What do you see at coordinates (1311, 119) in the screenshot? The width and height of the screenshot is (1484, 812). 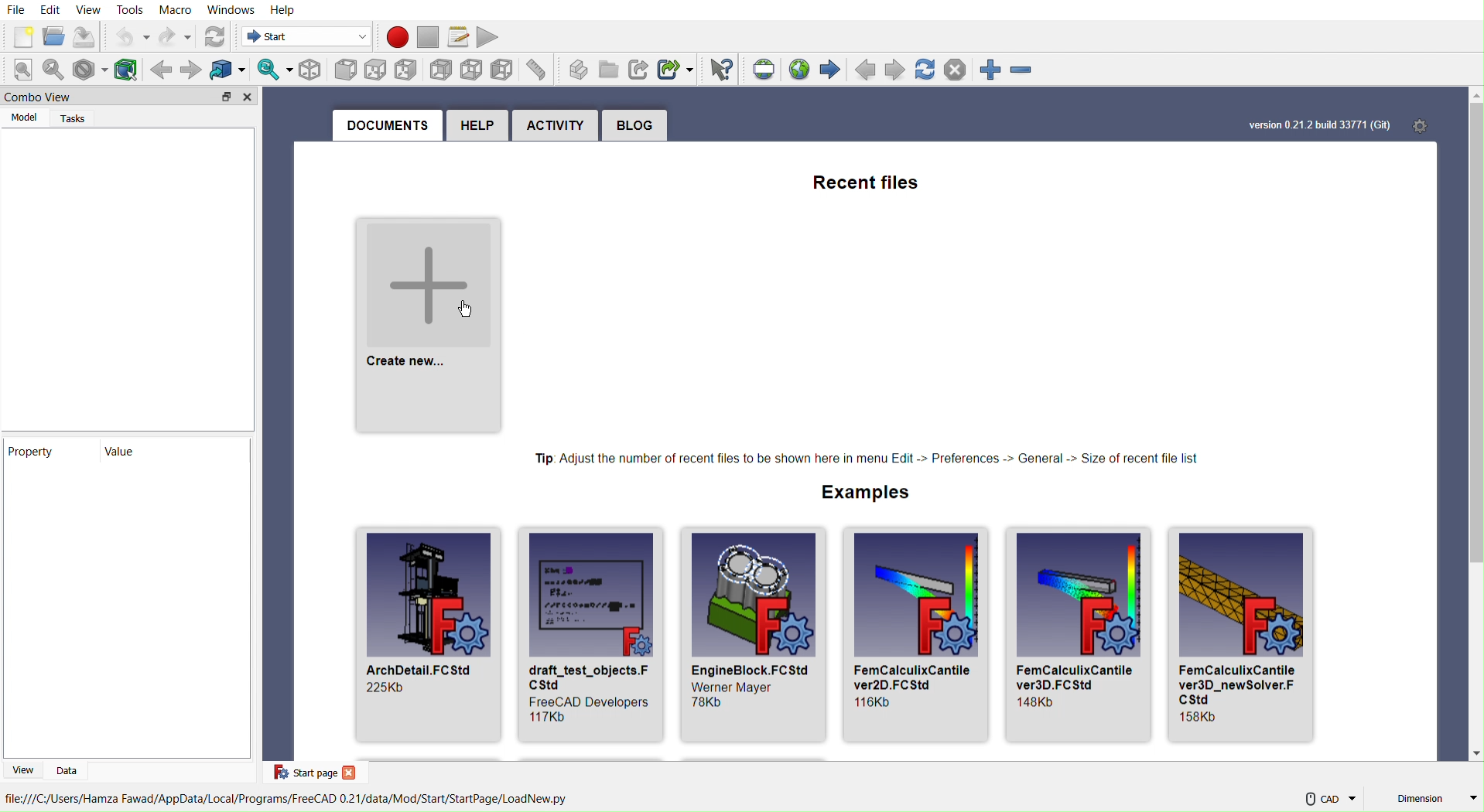 I see `version 0.21.2 build 33771 (Git)` at bounding box center [1311, 119].